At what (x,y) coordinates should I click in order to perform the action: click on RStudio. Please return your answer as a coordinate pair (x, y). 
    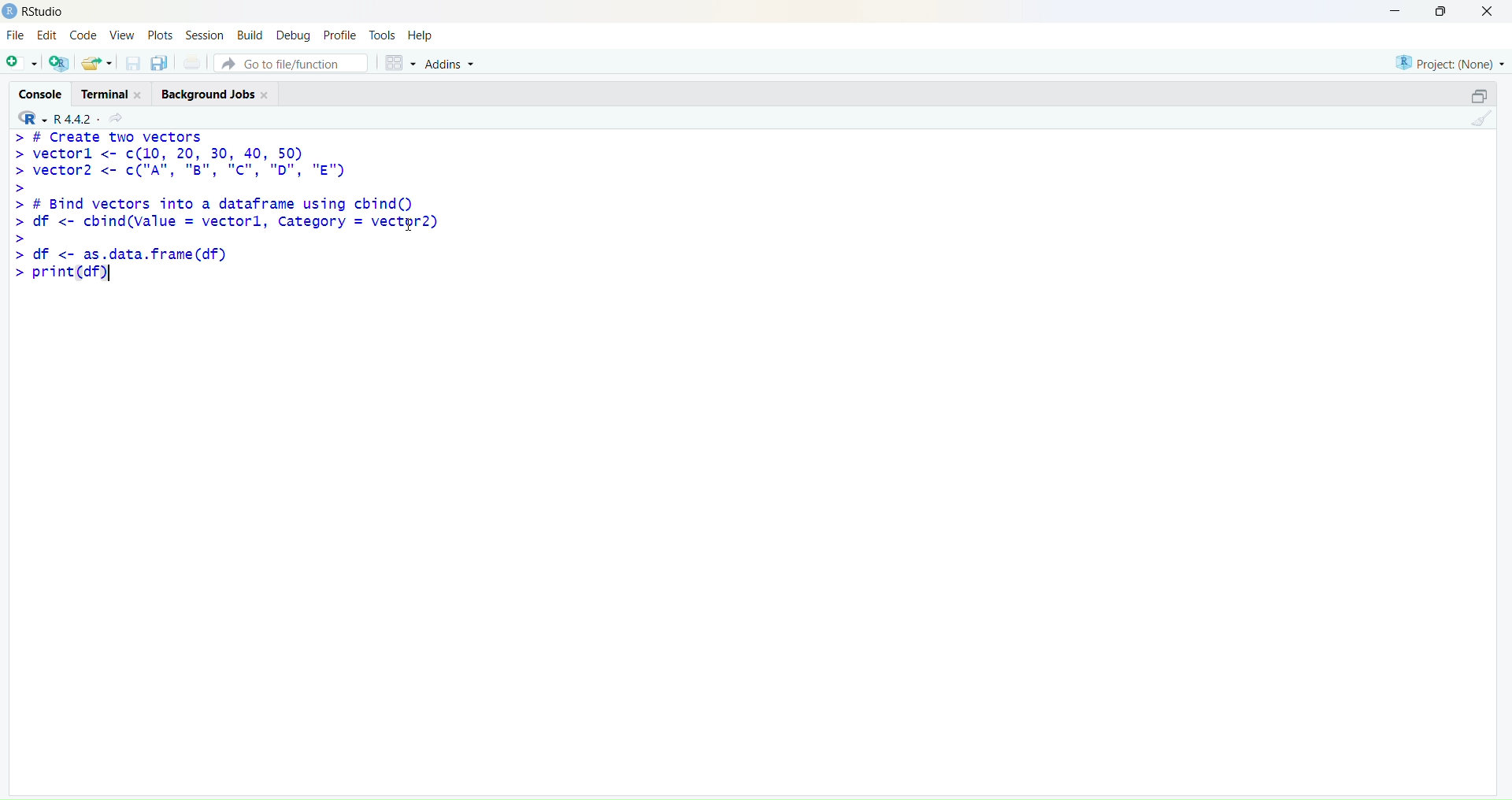
    Looking at the image, I should click on (43, 12).